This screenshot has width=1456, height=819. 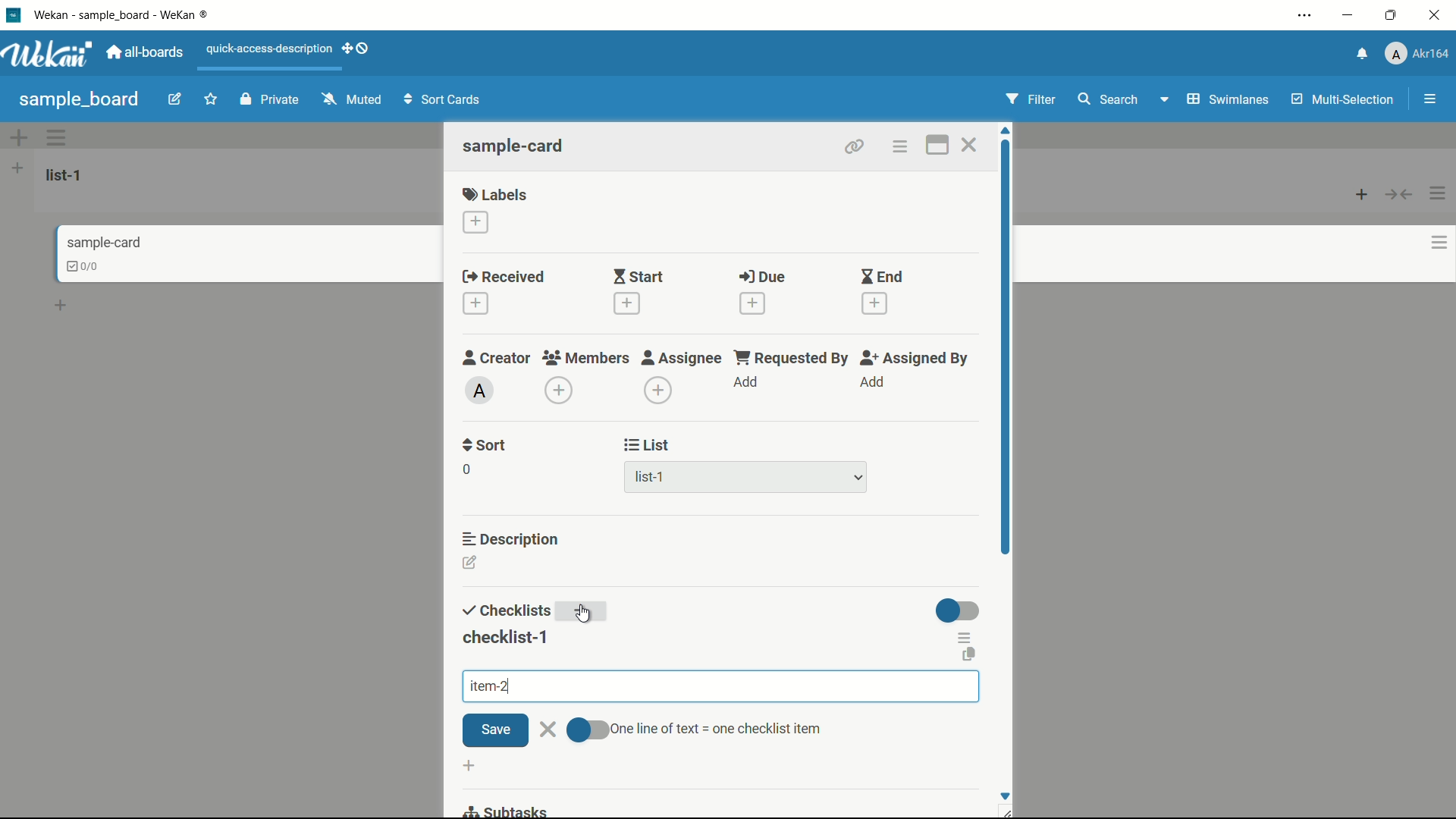 What do you see at coordinates (638, 278) in the screenshot?
I see `start` at bounding box center [638, 278].